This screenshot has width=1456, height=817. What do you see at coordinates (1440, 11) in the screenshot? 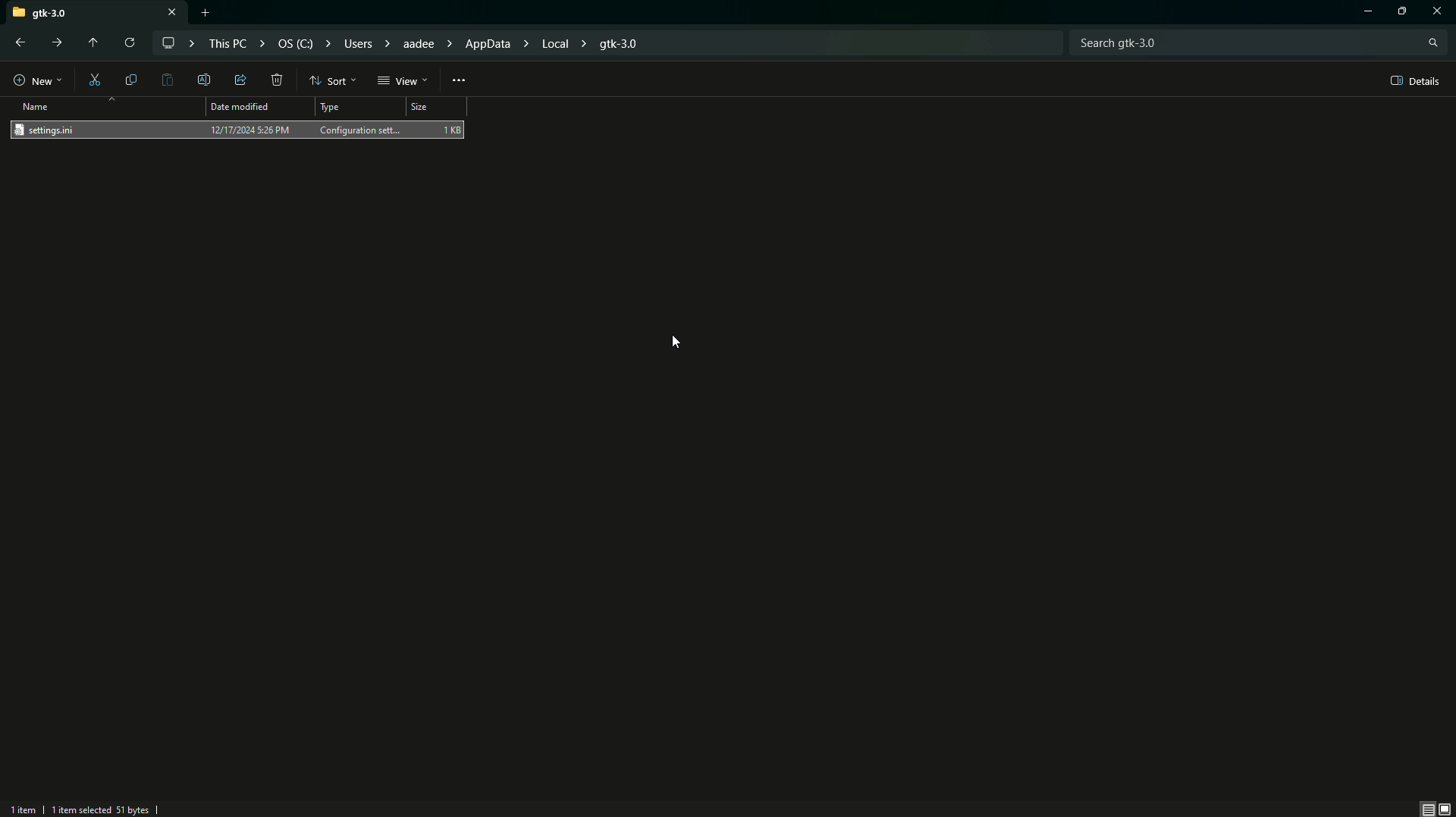
I see `Close` at bounding box center [1440, 11].